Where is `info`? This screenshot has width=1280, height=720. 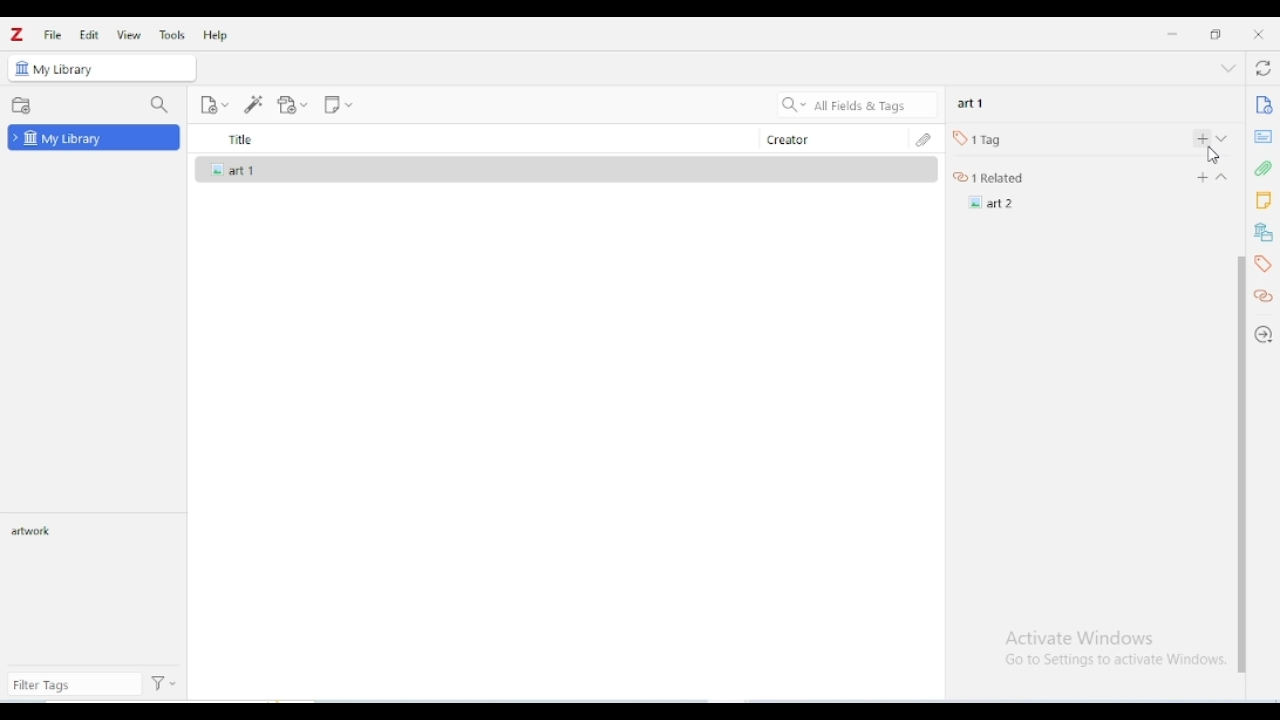
info is located at coordinates (1263, 104).